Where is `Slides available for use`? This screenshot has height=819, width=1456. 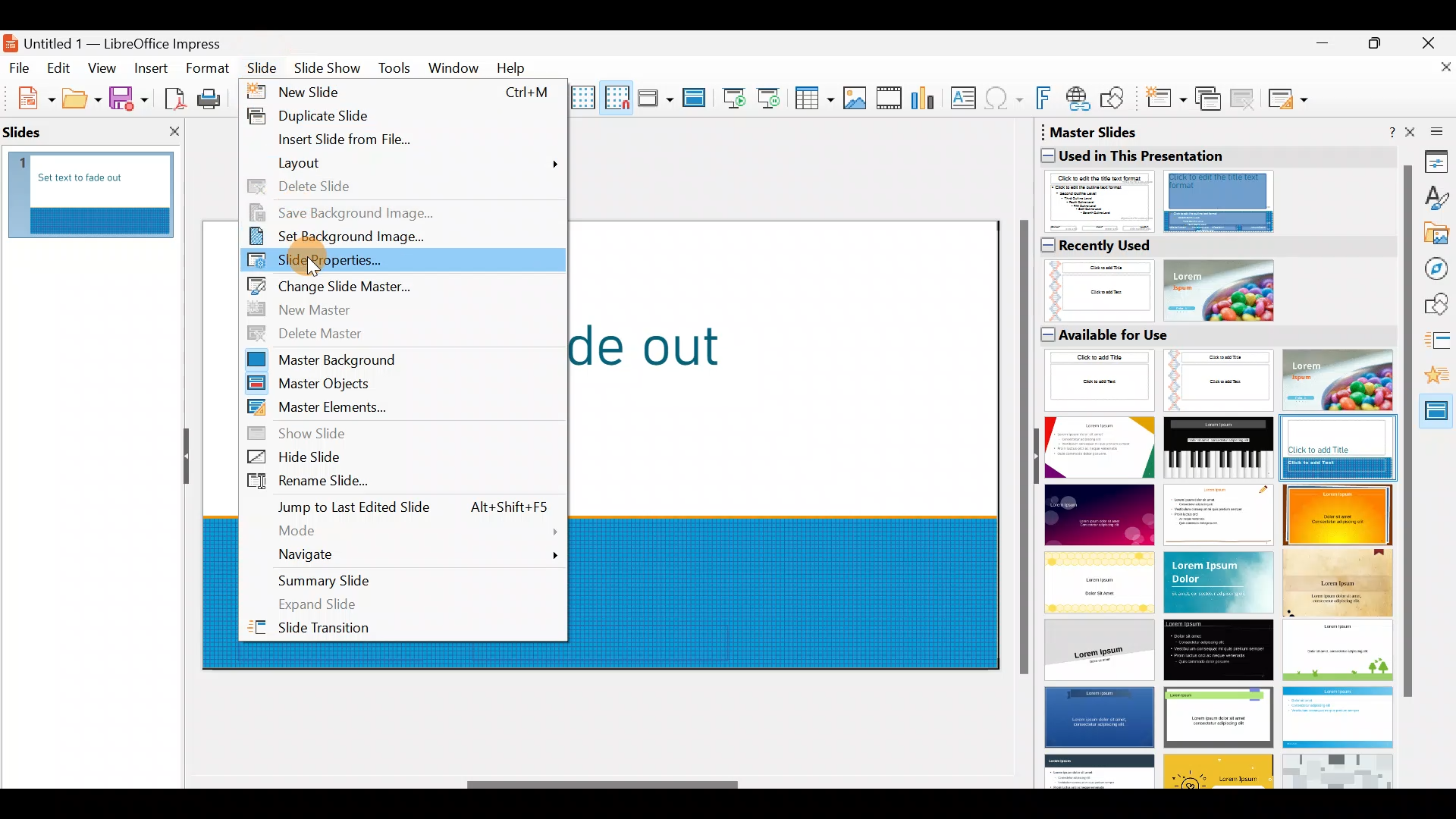
Slides available for use is located at coordinates (1215, 556).